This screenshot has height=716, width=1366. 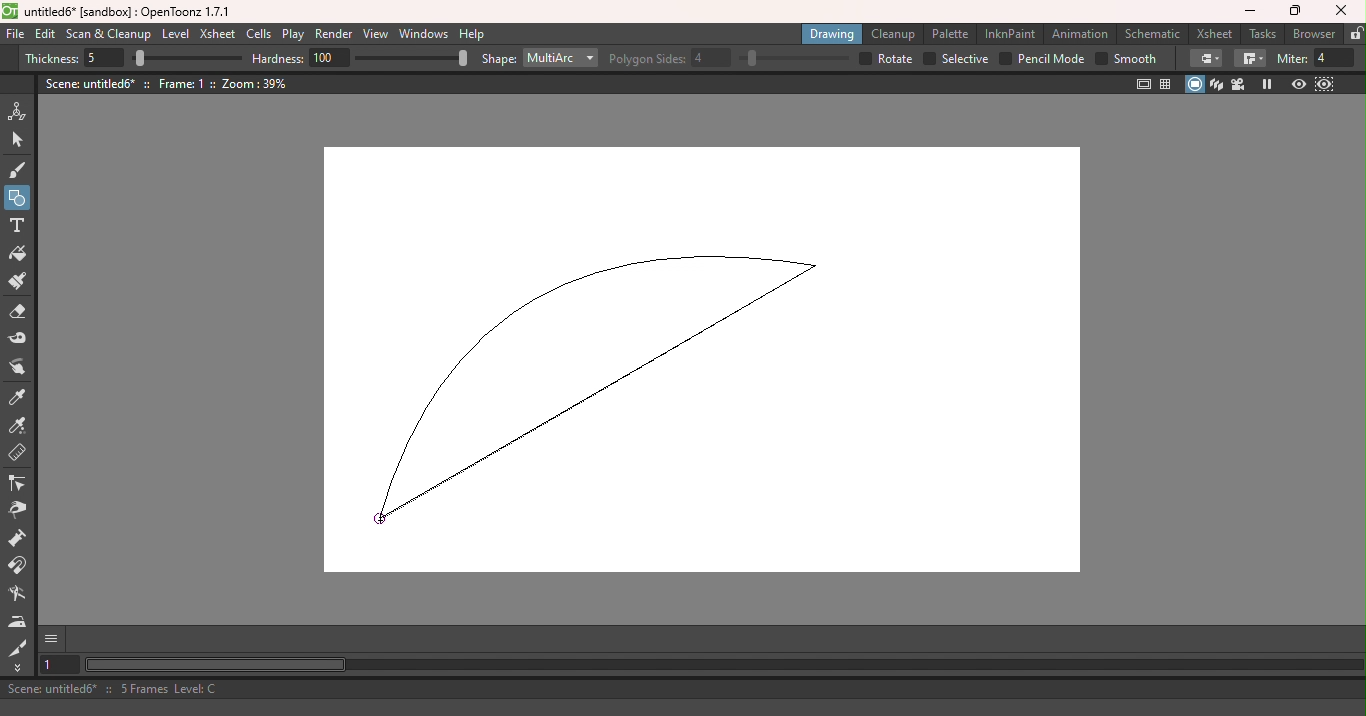 I want to click on Paint brush, so click(x=19, y=282).